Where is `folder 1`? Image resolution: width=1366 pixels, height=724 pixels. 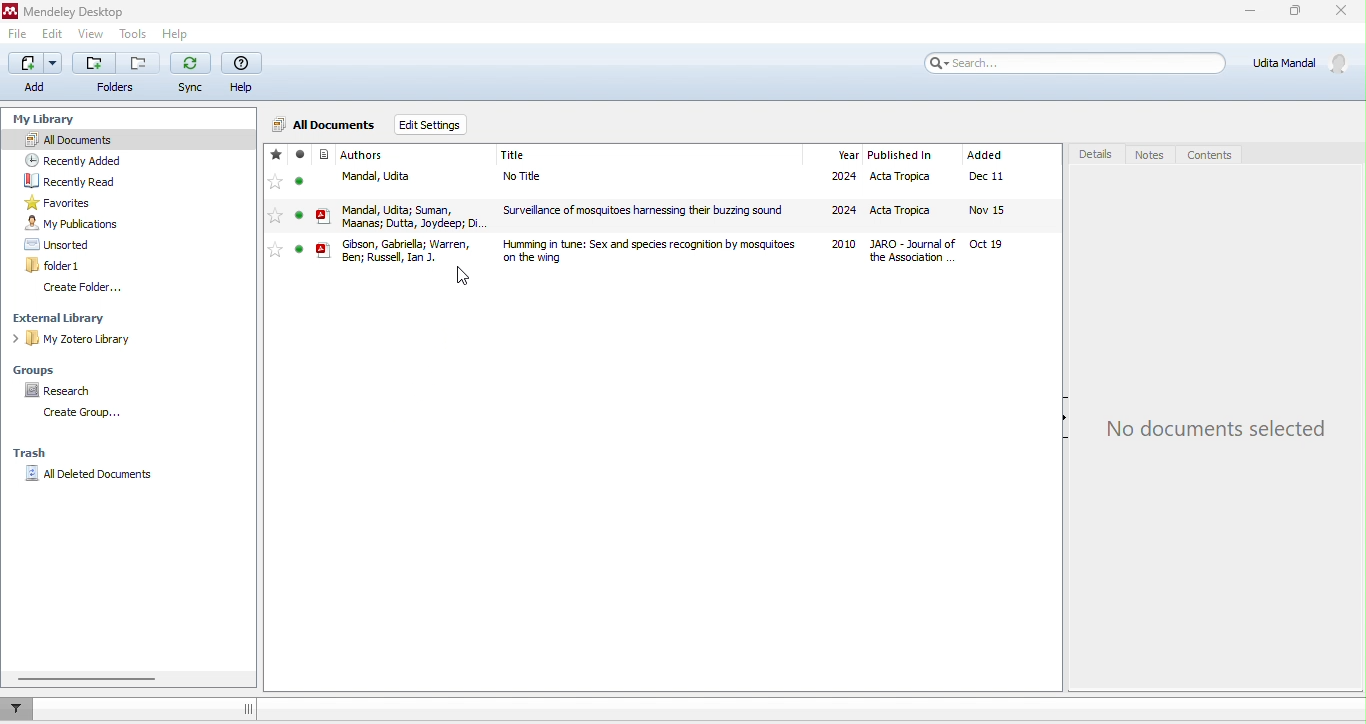
folder 1 is located at coordinates (56, 265).